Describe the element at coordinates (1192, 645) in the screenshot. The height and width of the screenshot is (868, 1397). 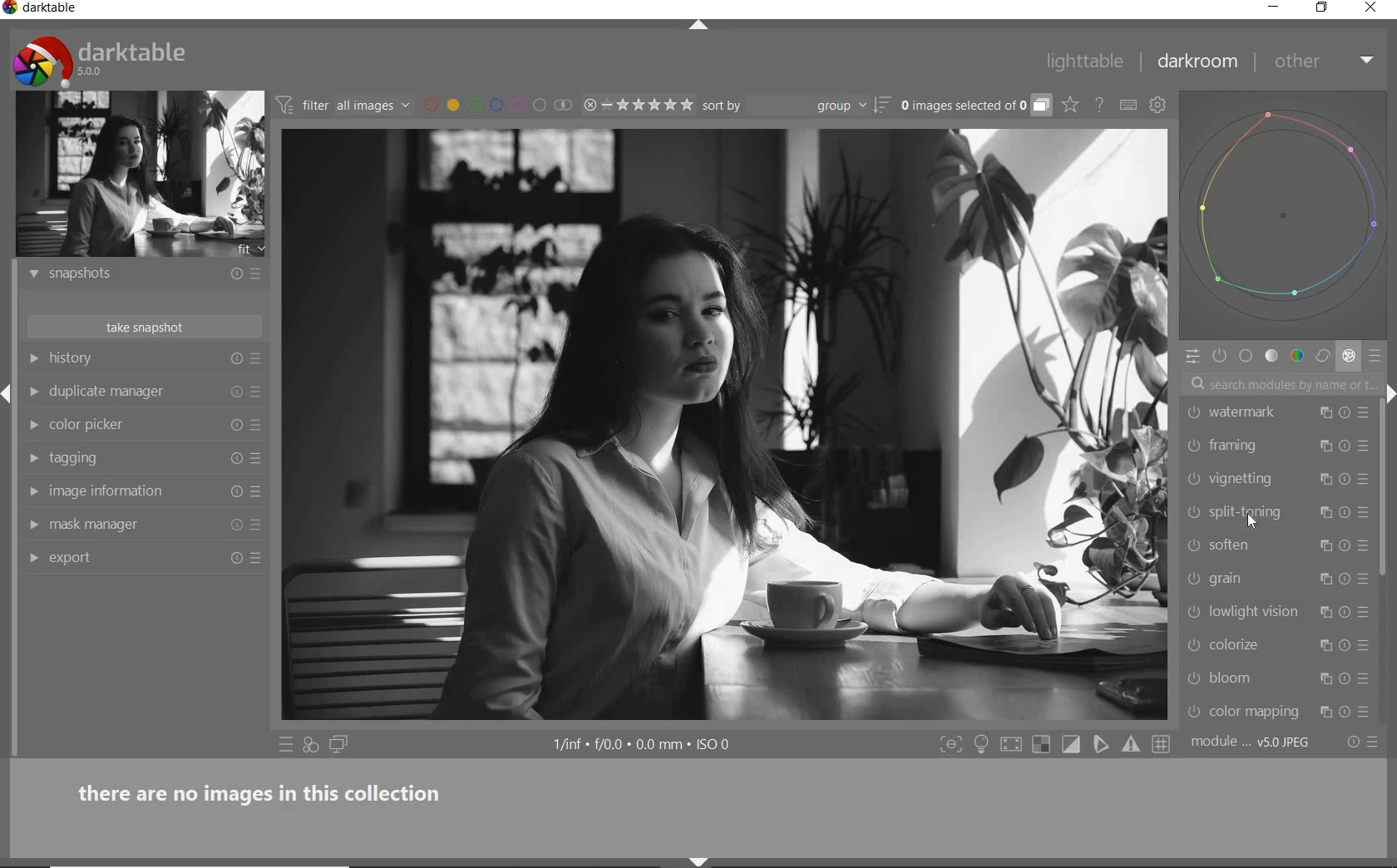
I see `'colonize' is switched off` at that location.